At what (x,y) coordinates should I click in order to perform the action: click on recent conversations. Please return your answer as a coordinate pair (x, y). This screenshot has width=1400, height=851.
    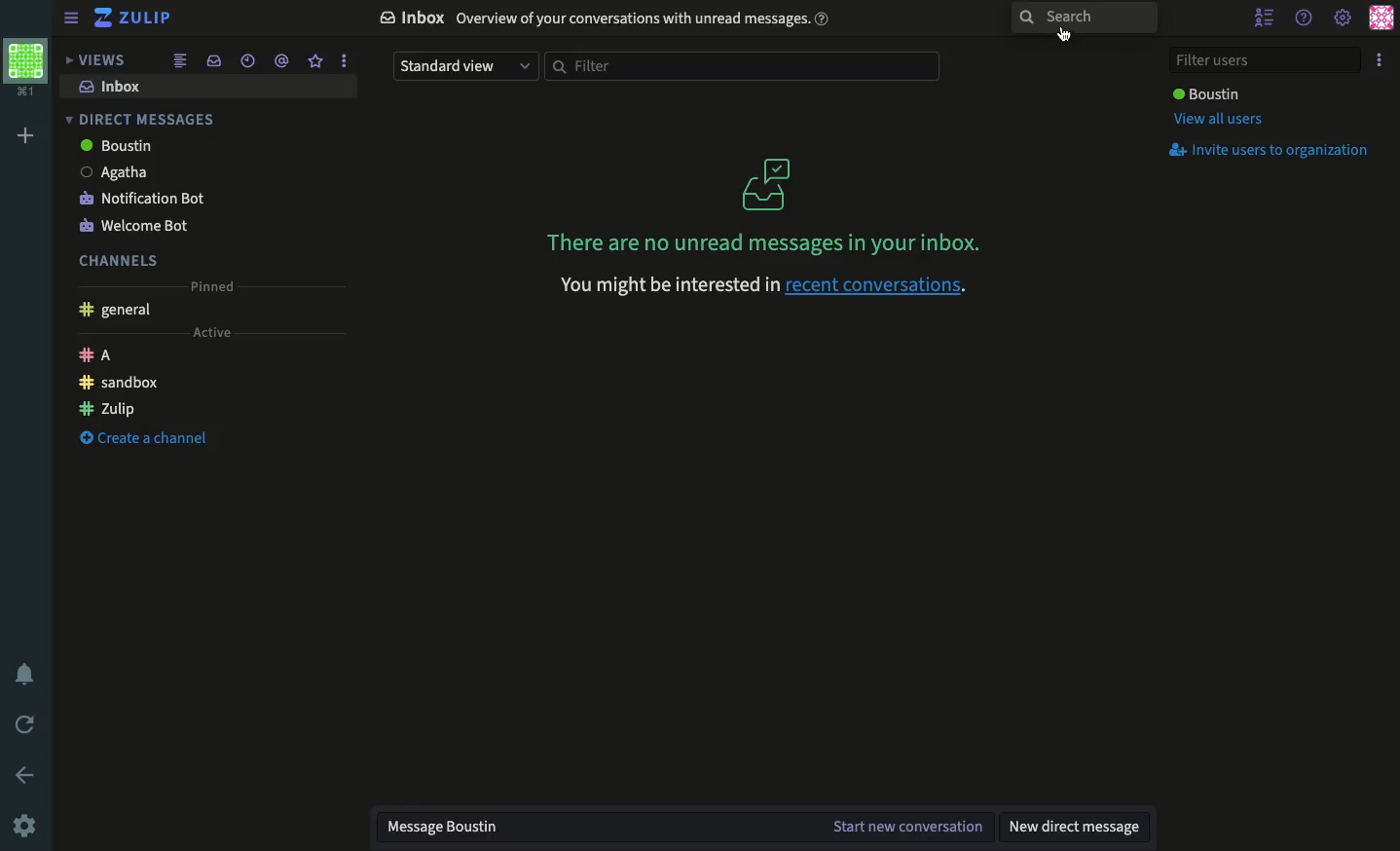
    Looking at the image, I should click on (876, 287).